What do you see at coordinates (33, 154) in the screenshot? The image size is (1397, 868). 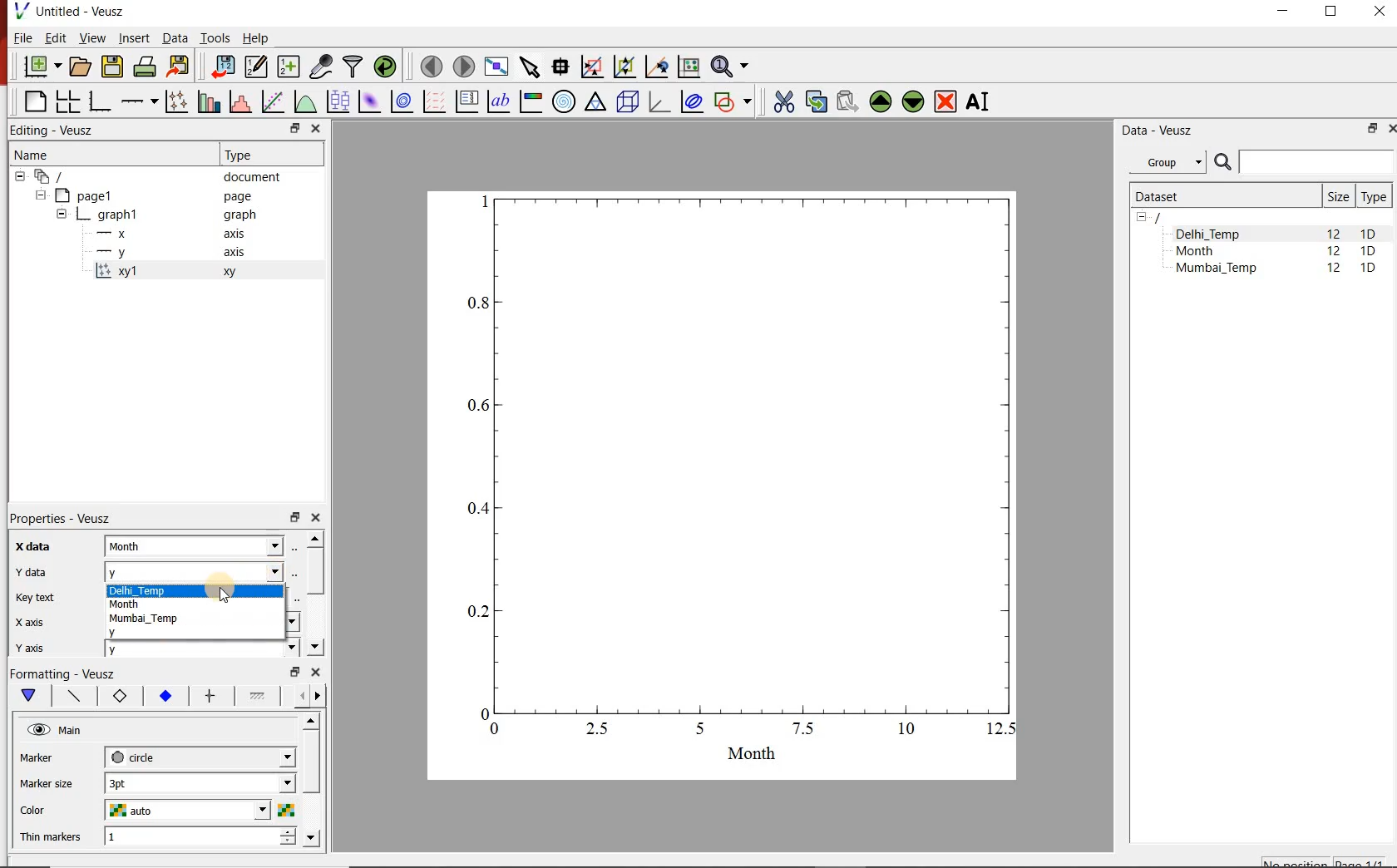 I see `Name` at bounding box center [33, 154].